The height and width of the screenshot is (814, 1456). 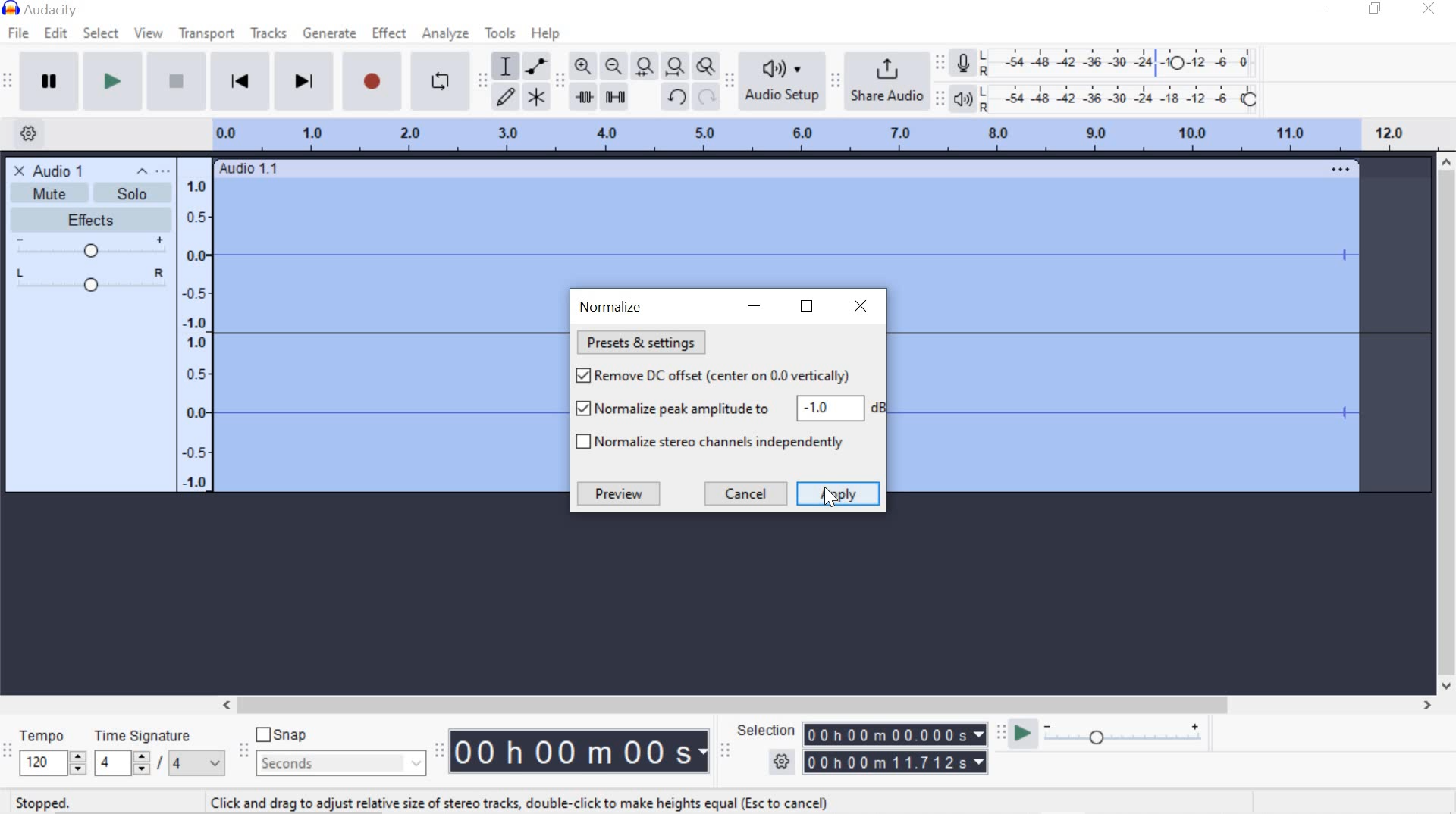 What do you see at coordinates (89, 282) in the screenshot?
I see `Pan` at bounding box center [89, 282].